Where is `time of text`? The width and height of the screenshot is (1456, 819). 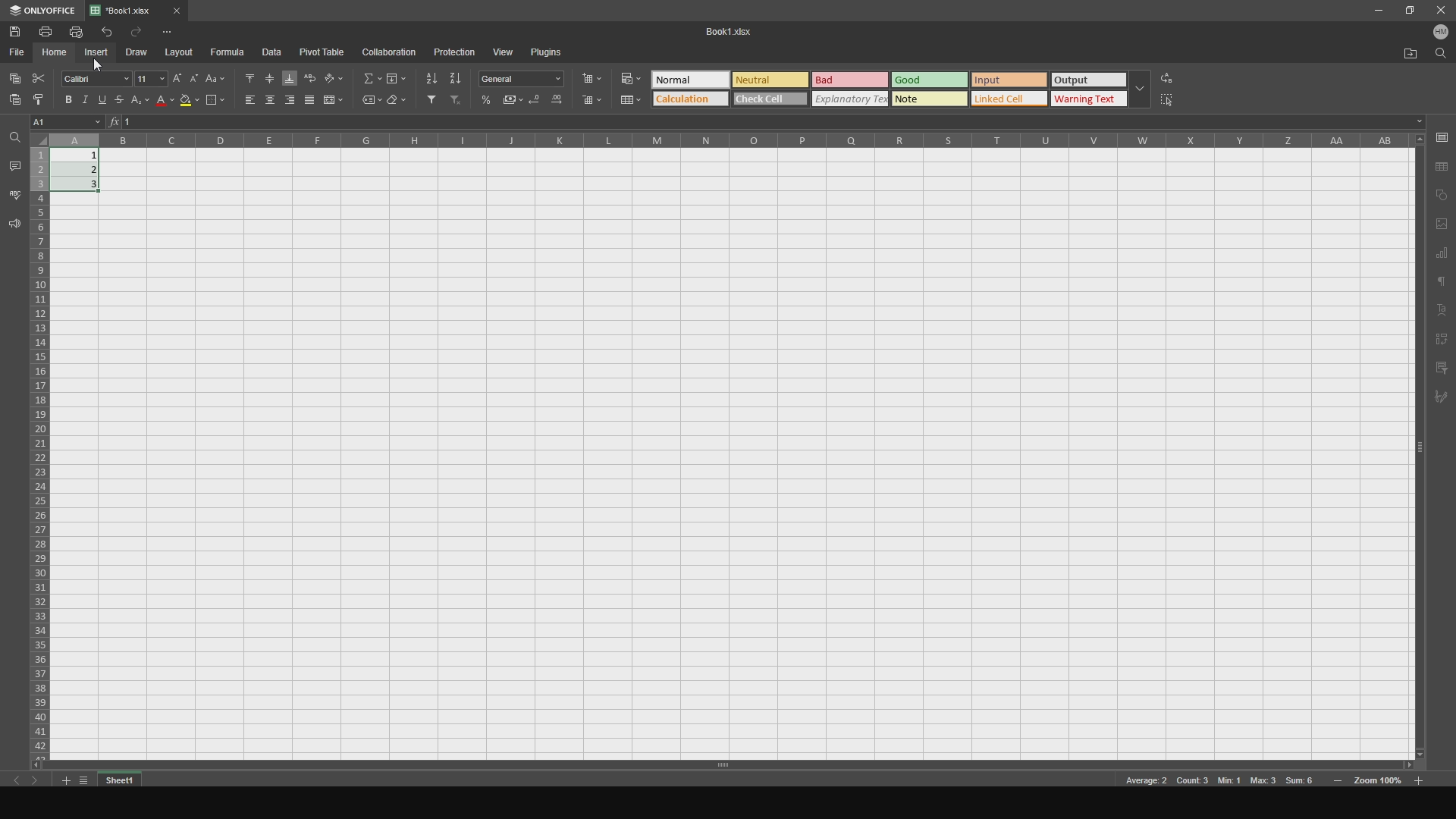 time of text is located at coordinates (901, 88).